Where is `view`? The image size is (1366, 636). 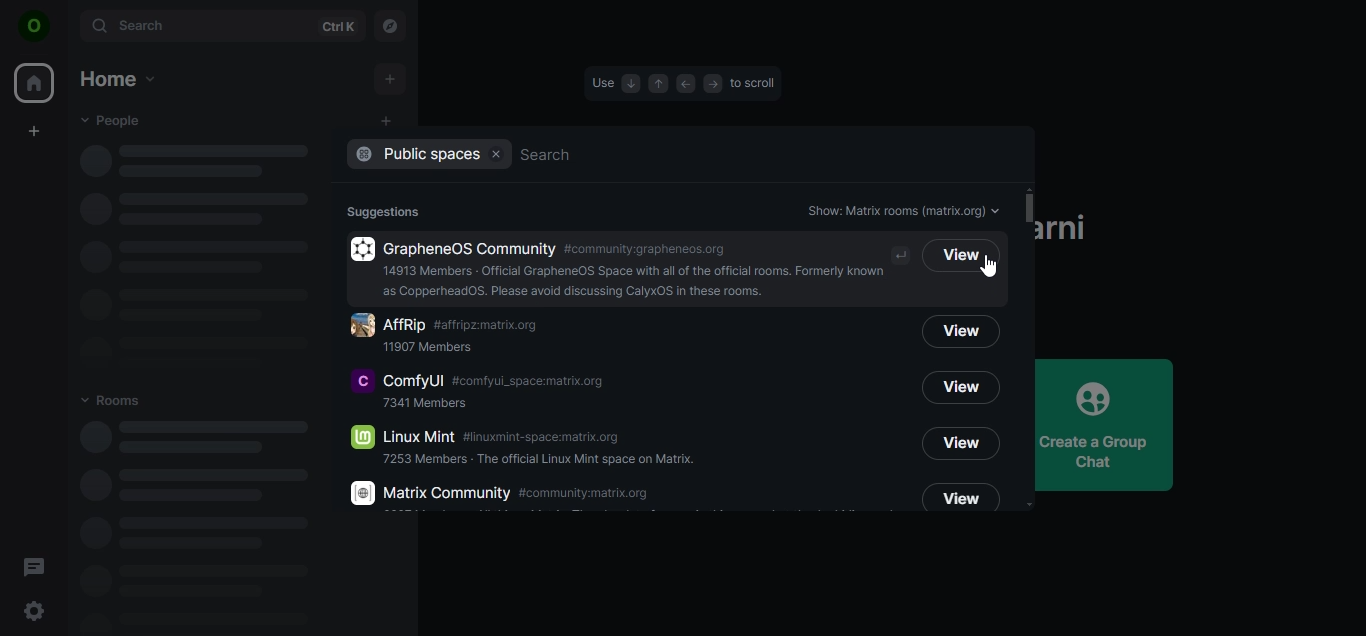 view is located at coordinates (960, 498).